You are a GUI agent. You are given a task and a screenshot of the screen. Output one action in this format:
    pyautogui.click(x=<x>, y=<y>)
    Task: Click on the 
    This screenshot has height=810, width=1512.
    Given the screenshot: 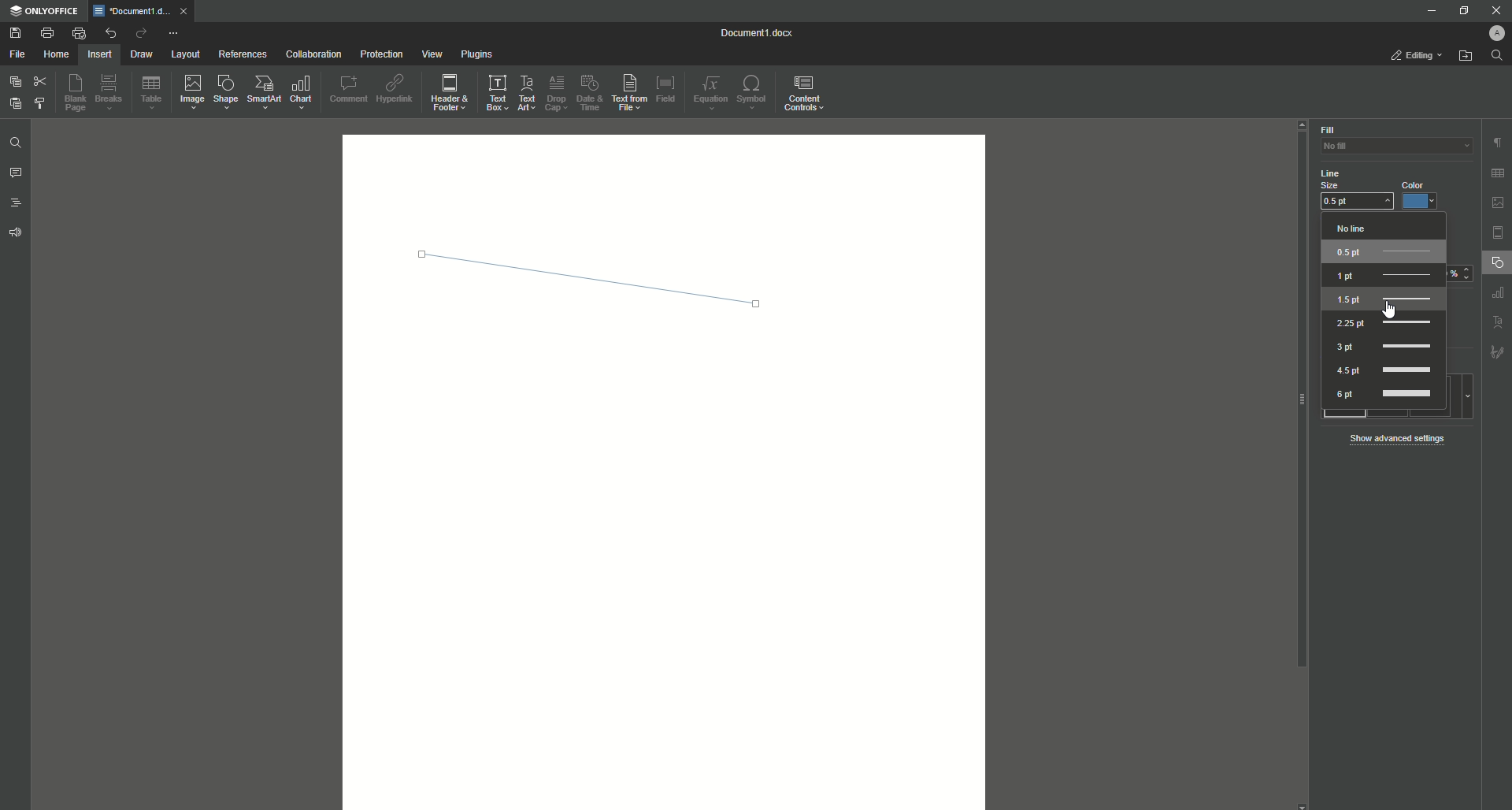 What is the action you would take?
    pyautogui.click(x=1493, y=322)
    